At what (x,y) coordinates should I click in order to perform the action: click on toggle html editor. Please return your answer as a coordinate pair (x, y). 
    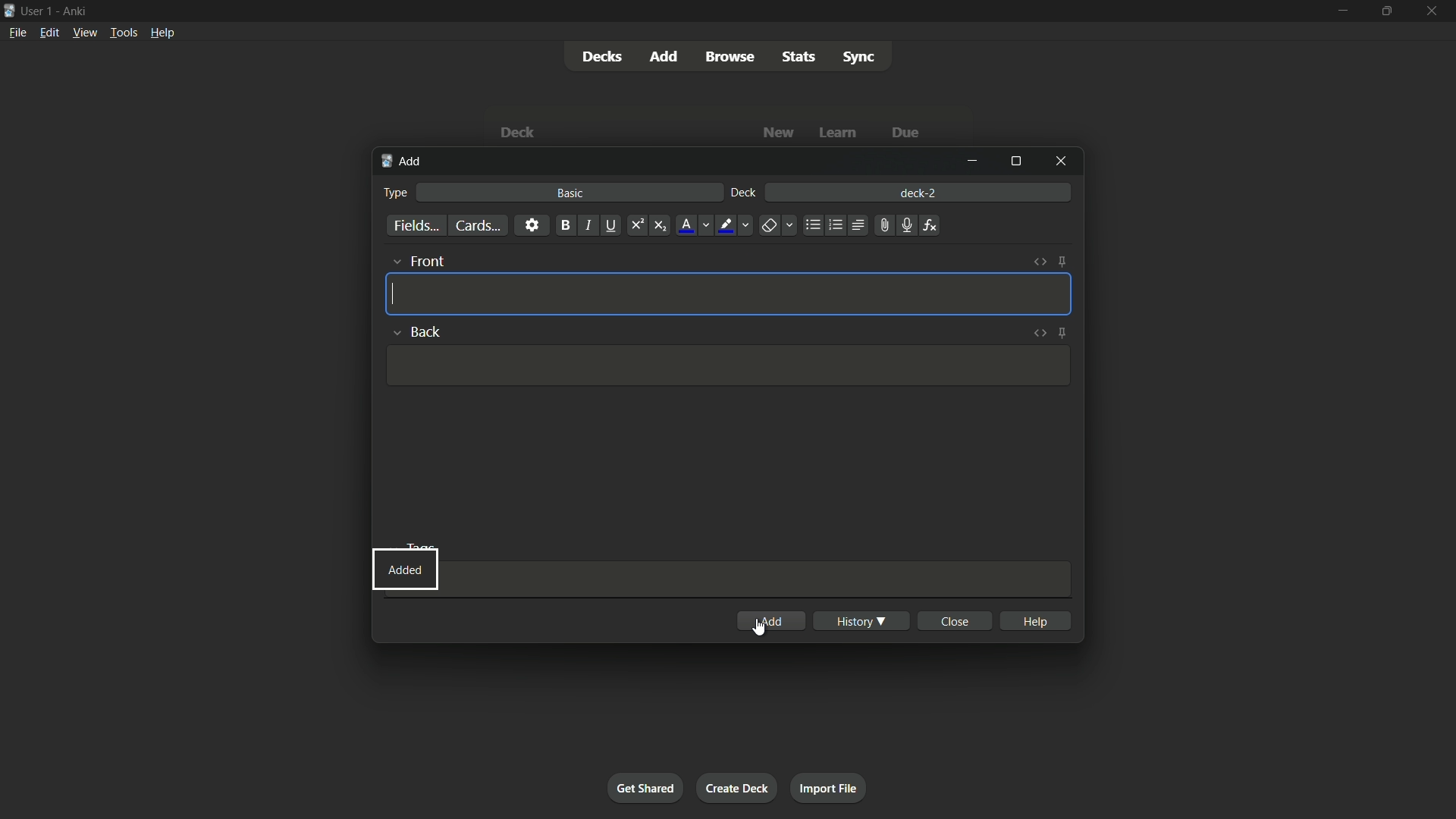
    Looking at the image, I should click on (1040, 331).